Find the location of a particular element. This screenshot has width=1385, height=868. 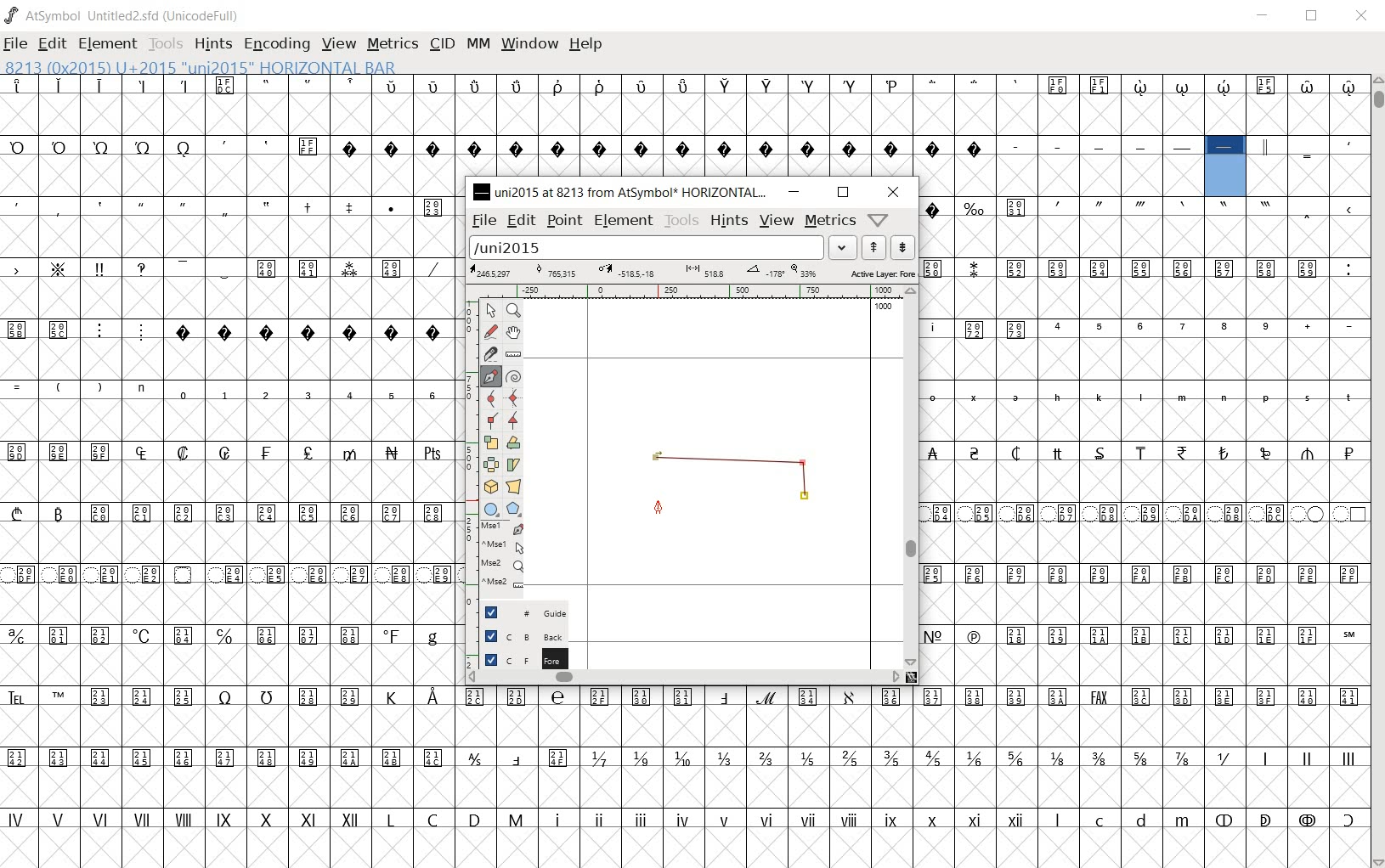

glyph characters is located at coordinates (1145, 440).